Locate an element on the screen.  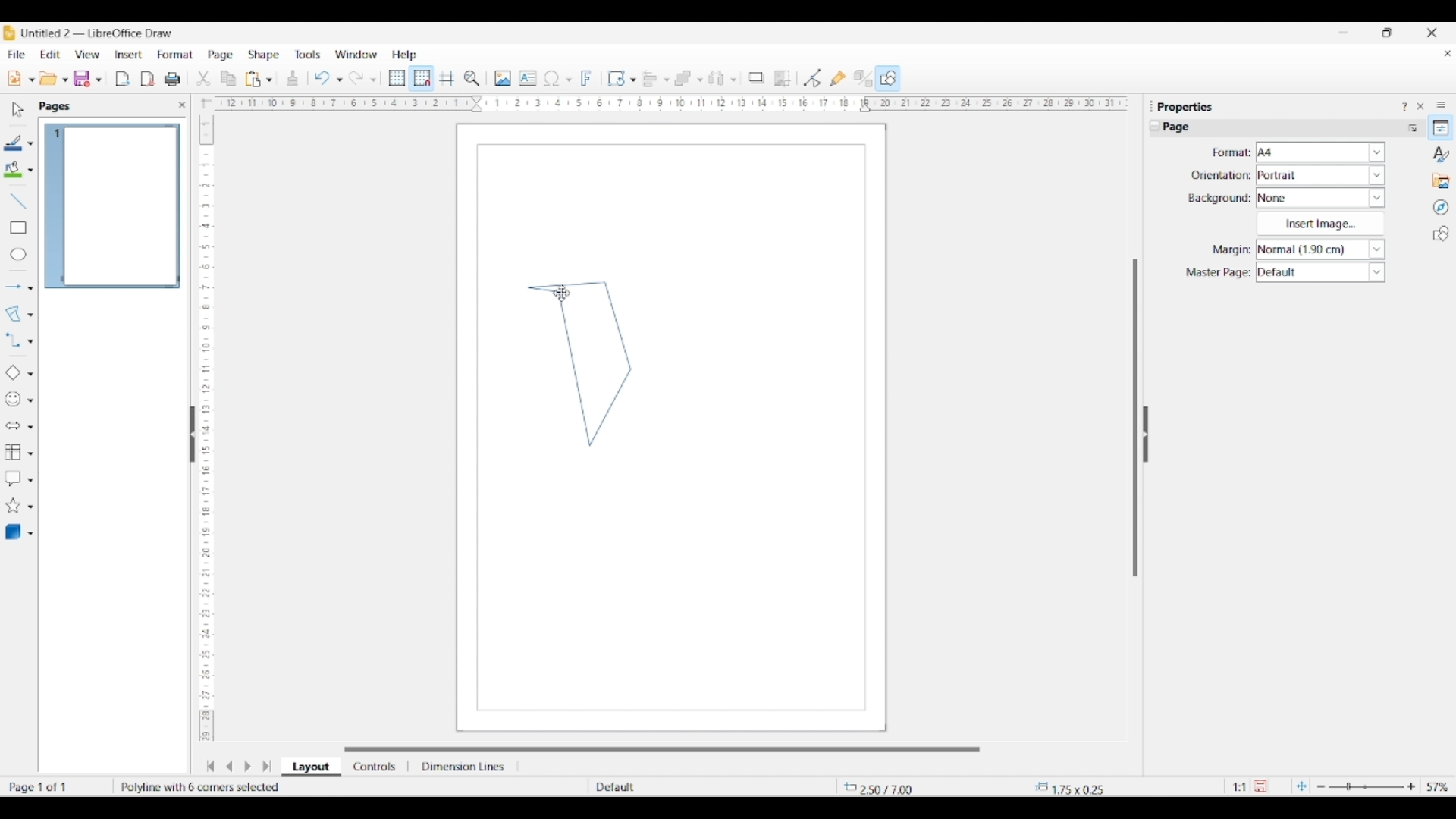
Current page is located at coordinates (111, 206).